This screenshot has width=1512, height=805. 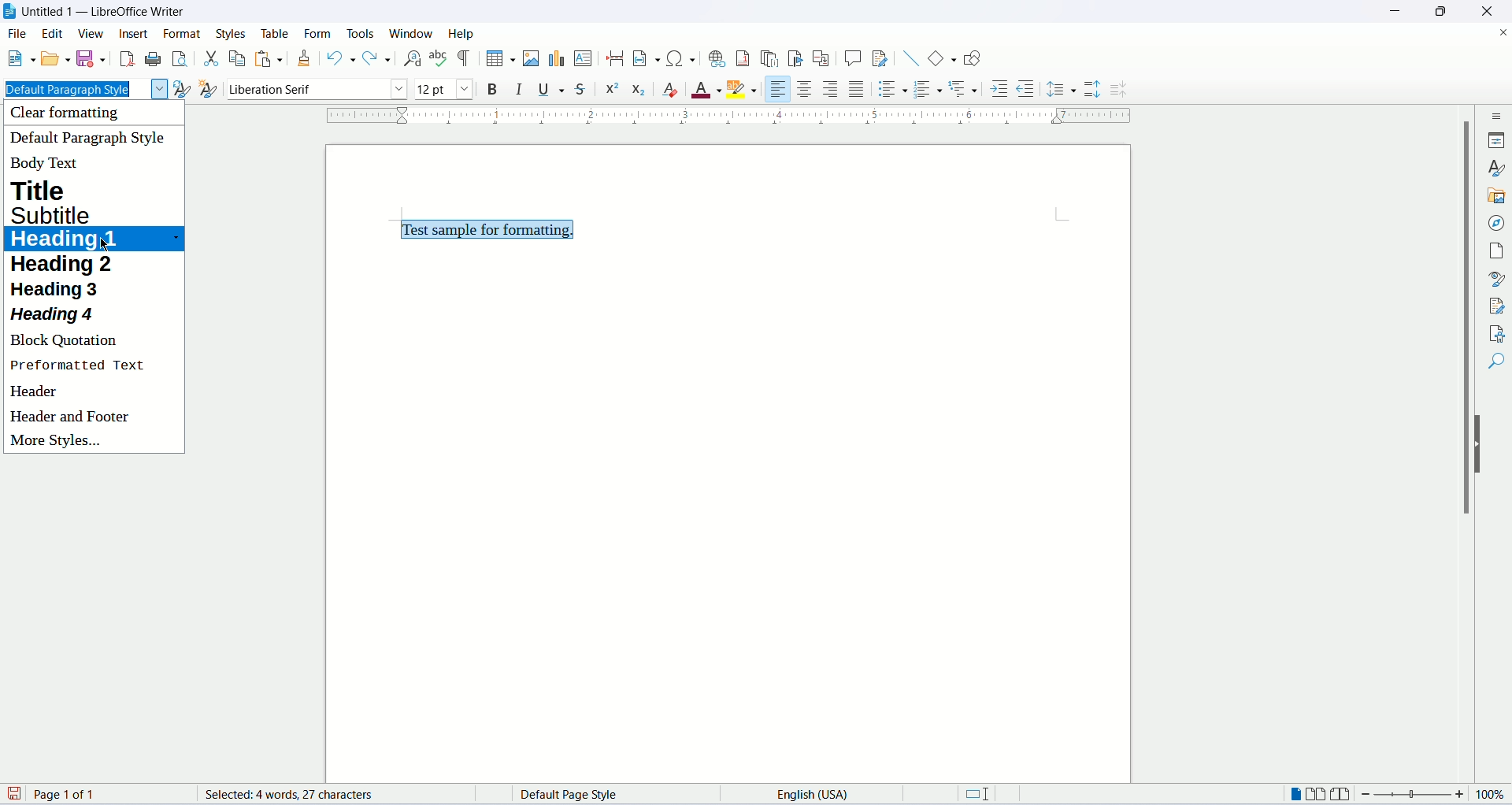 I want to click on window, so click(x=412, y=33).